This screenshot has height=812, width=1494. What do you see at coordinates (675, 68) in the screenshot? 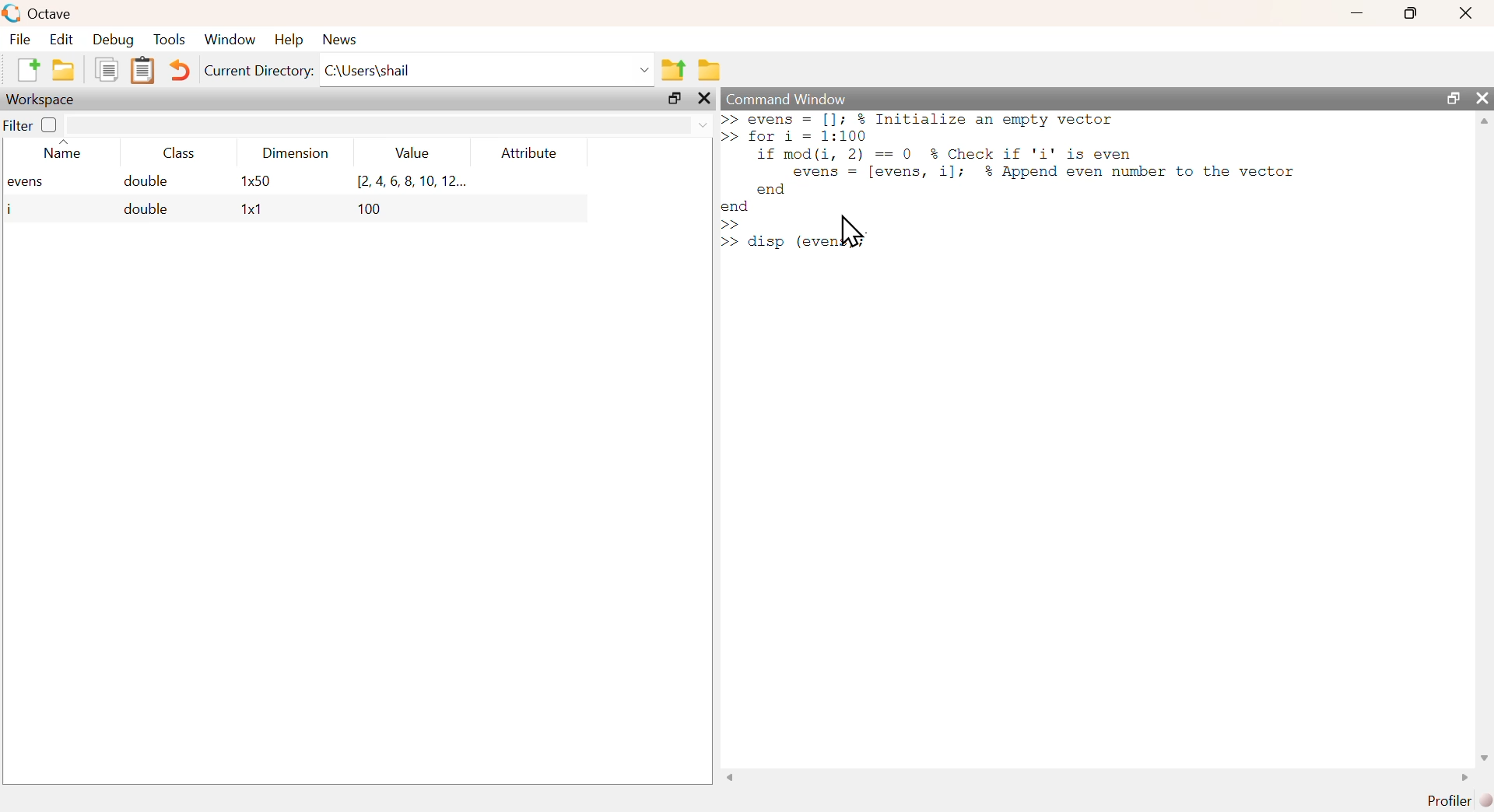
I see `one directory up` at bounding box center [675, 68].